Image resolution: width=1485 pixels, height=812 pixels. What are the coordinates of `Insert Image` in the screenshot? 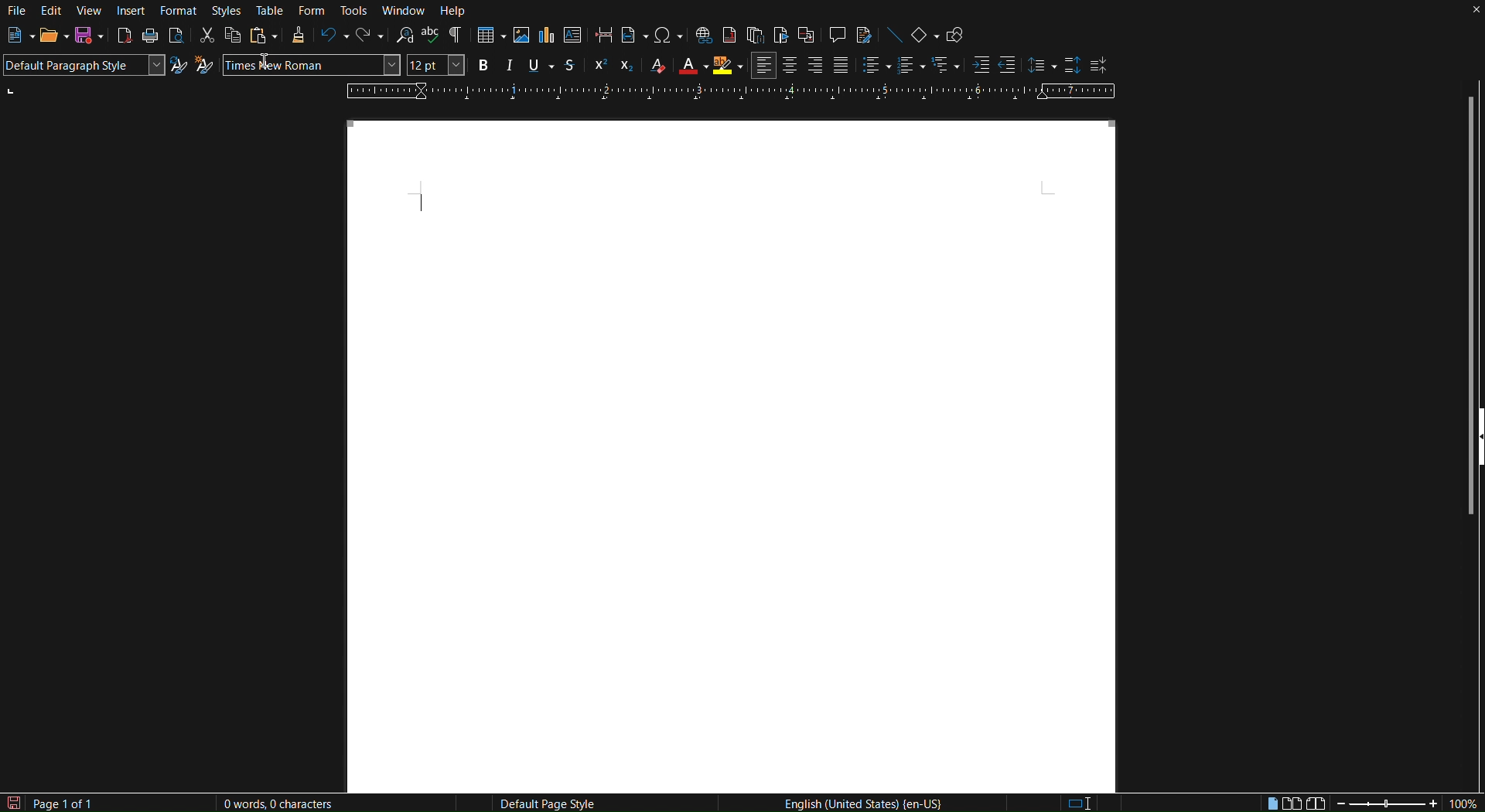 It's located at (521, 36).